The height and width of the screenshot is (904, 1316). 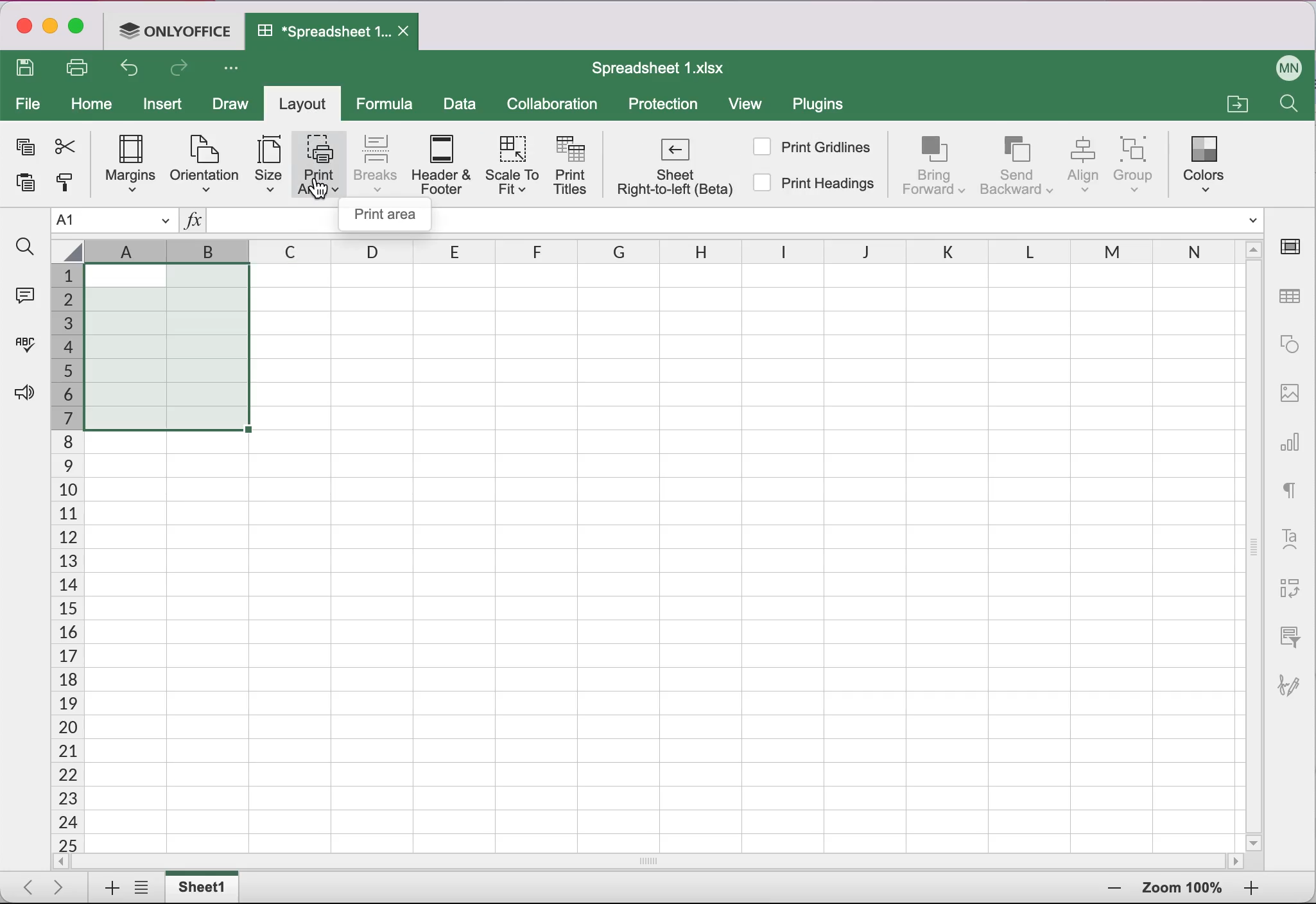 What do you see at coordinates (182, 71) in the screenshot?
I see `redo` at bounding box center [182, 71].